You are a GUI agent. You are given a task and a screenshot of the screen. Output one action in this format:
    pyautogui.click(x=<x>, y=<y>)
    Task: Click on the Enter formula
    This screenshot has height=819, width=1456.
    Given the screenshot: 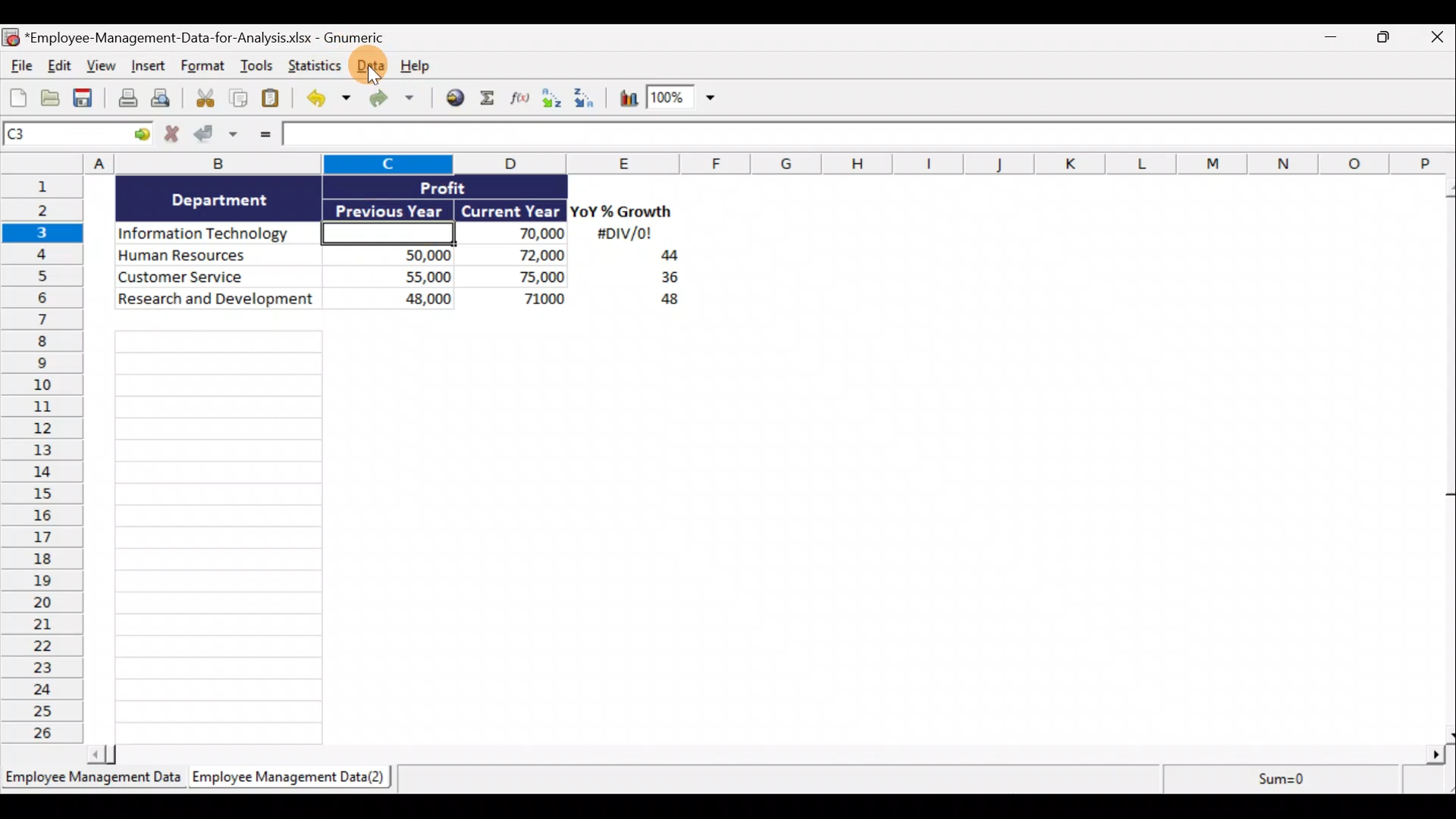 What is the action you would take?
    pyautogui.click(x=262, y=136)
    